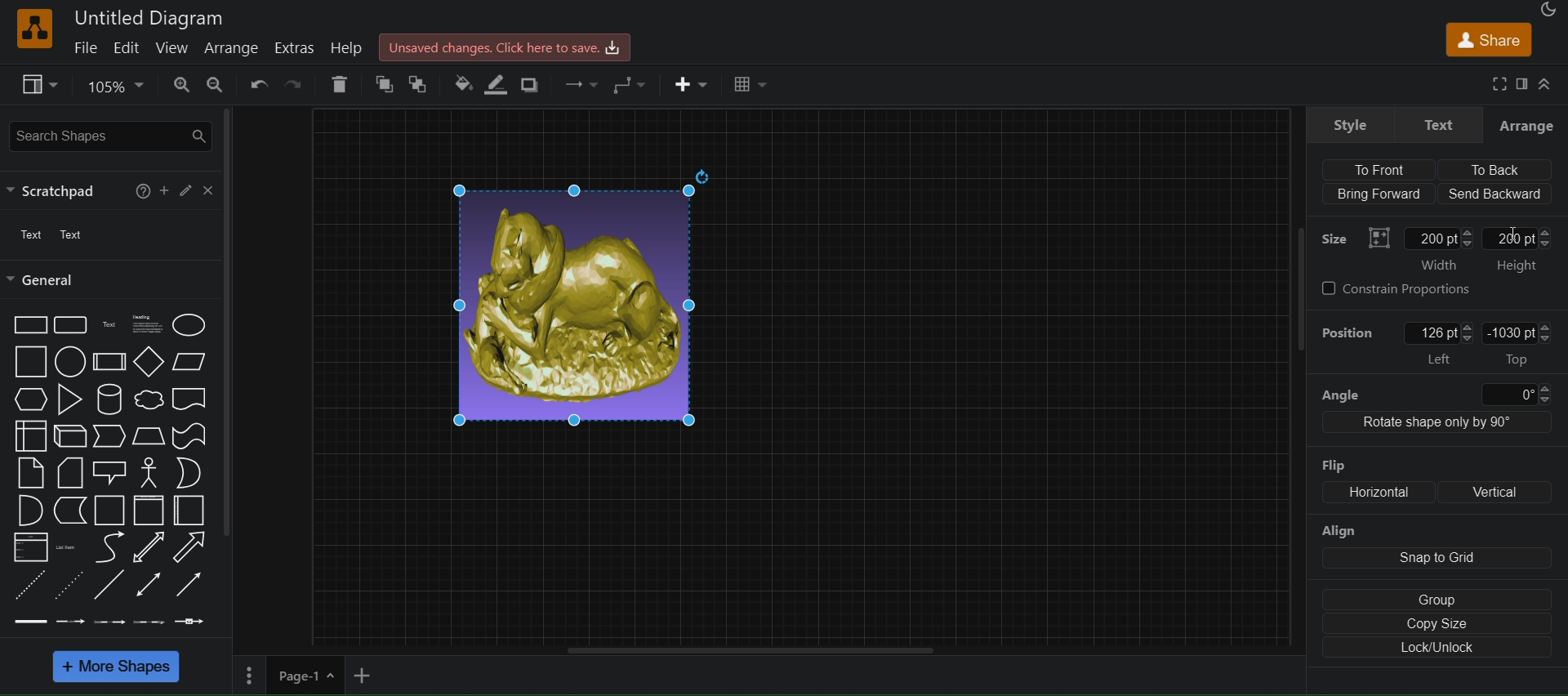  Describe the element at coordinates (1496, 194) in the screenshot. I see `Send backward (align)` at that location.